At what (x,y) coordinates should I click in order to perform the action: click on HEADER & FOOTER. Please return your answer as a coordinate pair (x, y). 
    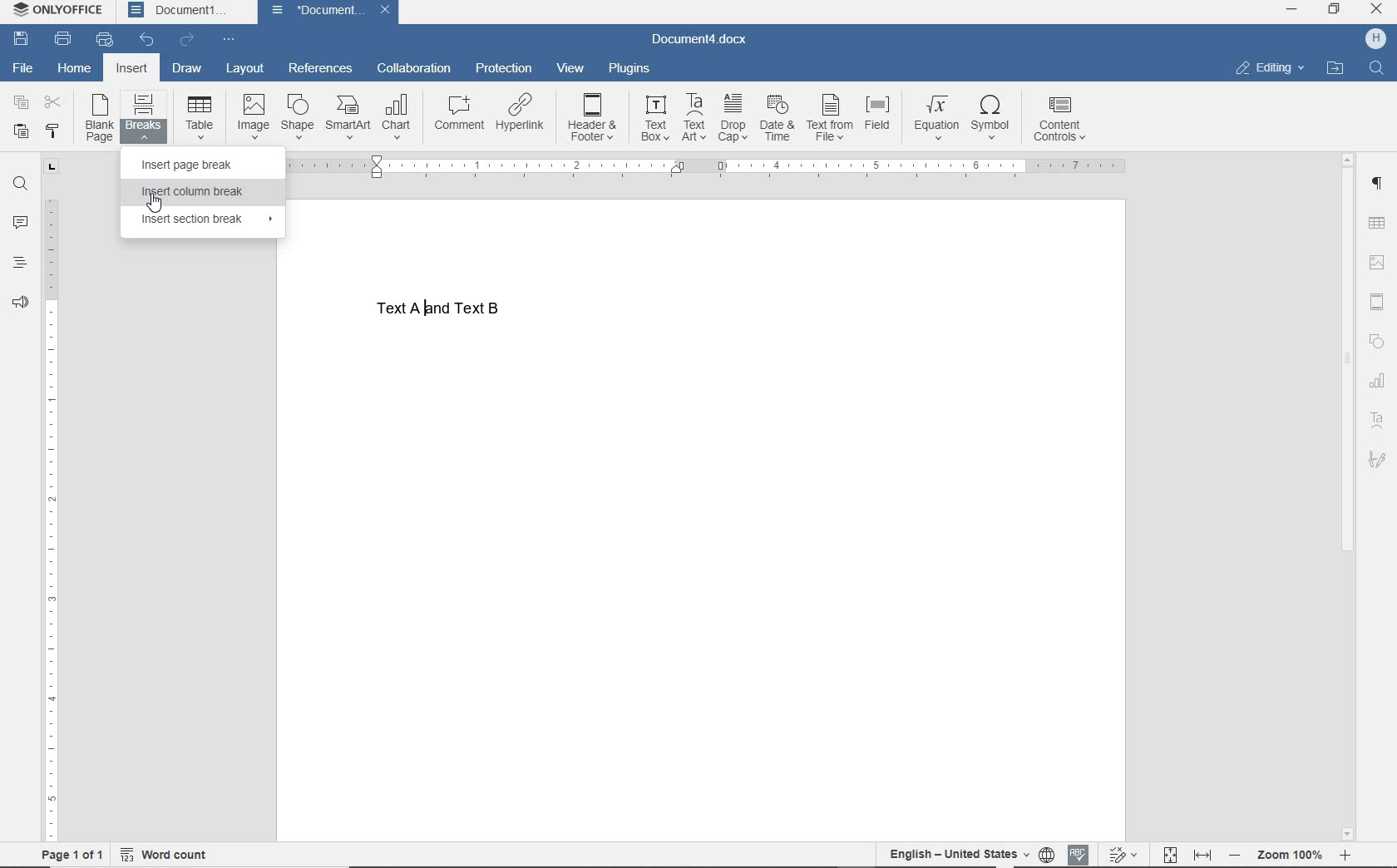
    Looking at the image, I should click on (595, 117).